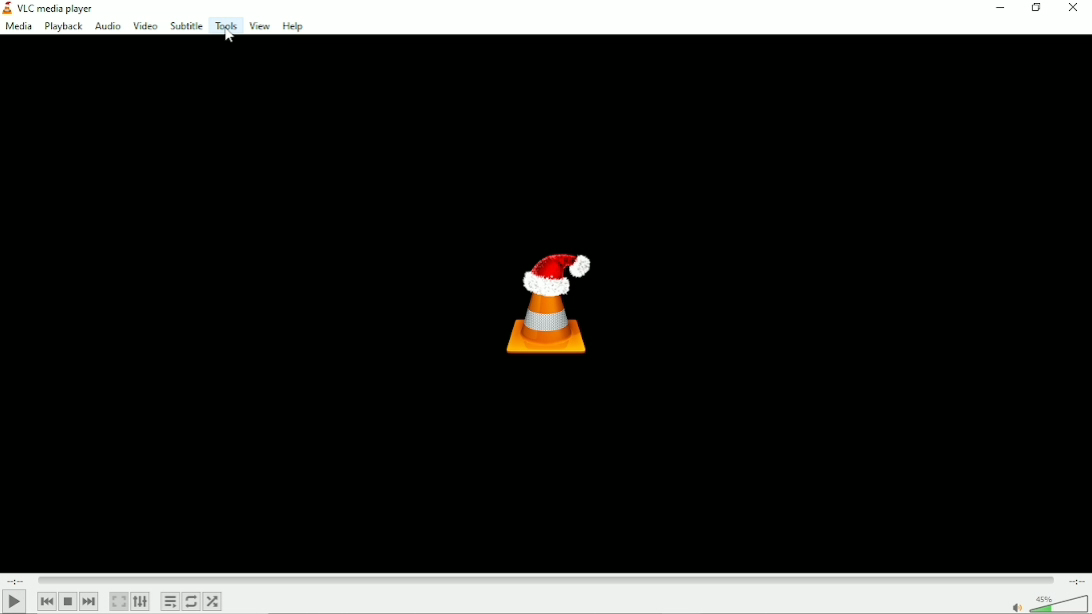 The width and height of the screenshot is (1092, 614). Describe the element at coordinates (64, 26) in the screenshot. I see `playback` at that location.